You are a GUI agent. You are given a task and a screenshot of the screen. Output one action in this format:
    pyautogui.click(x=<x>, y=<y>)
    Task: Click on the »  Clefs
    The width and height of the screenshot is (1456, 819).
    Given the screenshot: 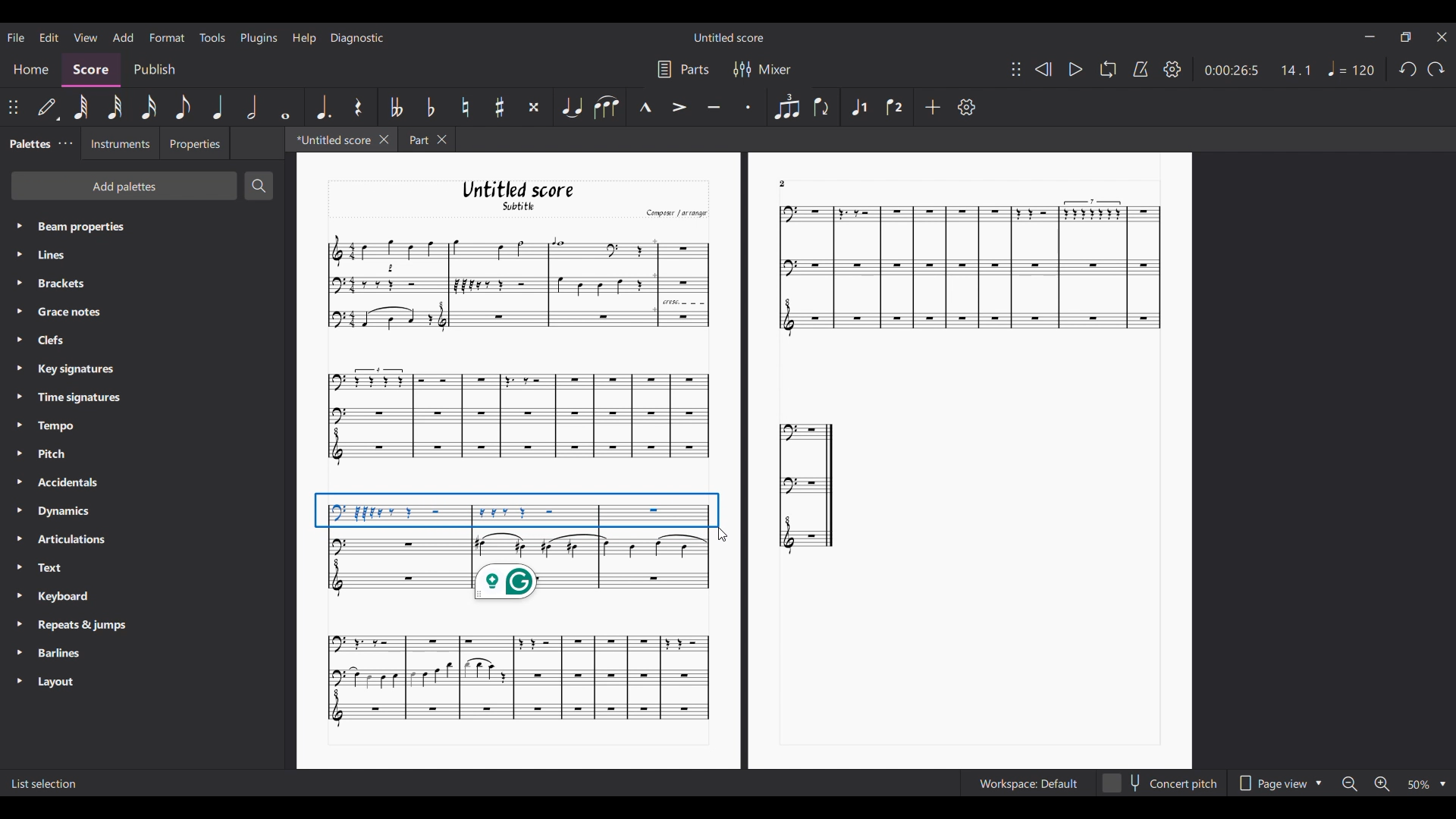 What is the action you would take?
    pyautogui.click(x=55, y=340)
    